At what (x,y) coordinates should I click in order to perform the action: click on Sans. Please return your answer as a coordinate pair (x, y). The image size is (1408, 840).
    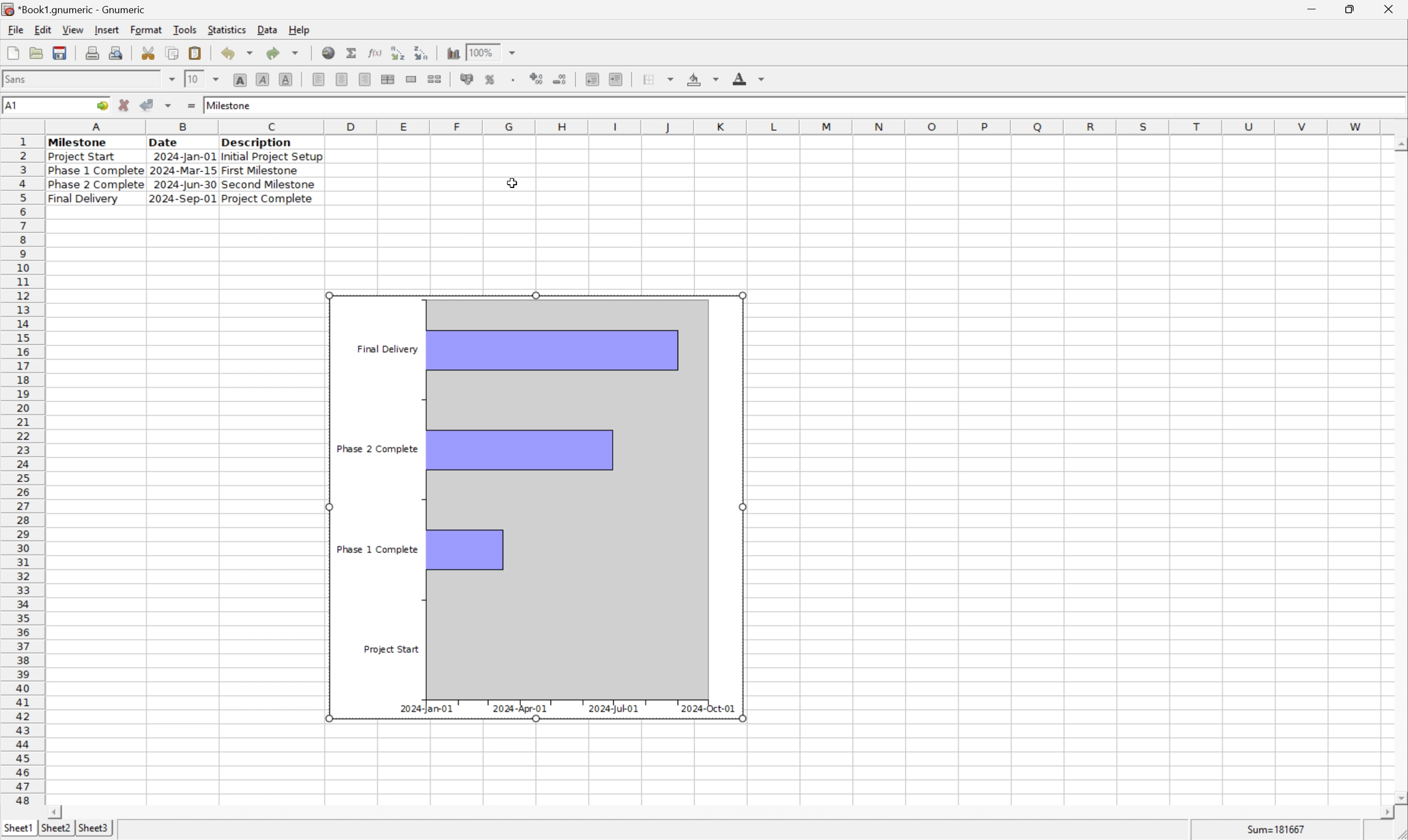
    Looking at the image, I should click on (19, 78).